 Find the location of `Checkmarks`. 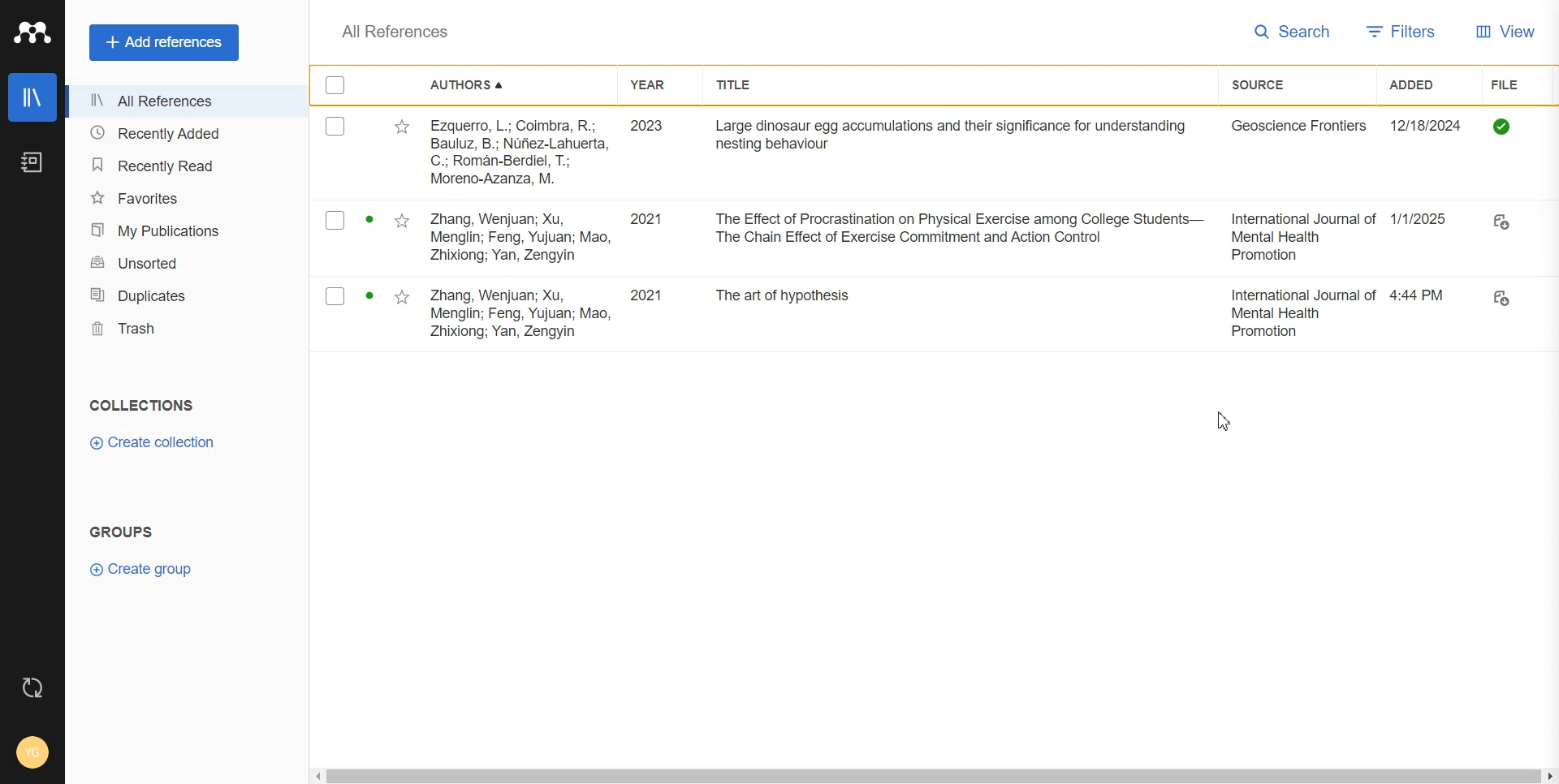

Checkmarks is located at coordinates (333, 125).